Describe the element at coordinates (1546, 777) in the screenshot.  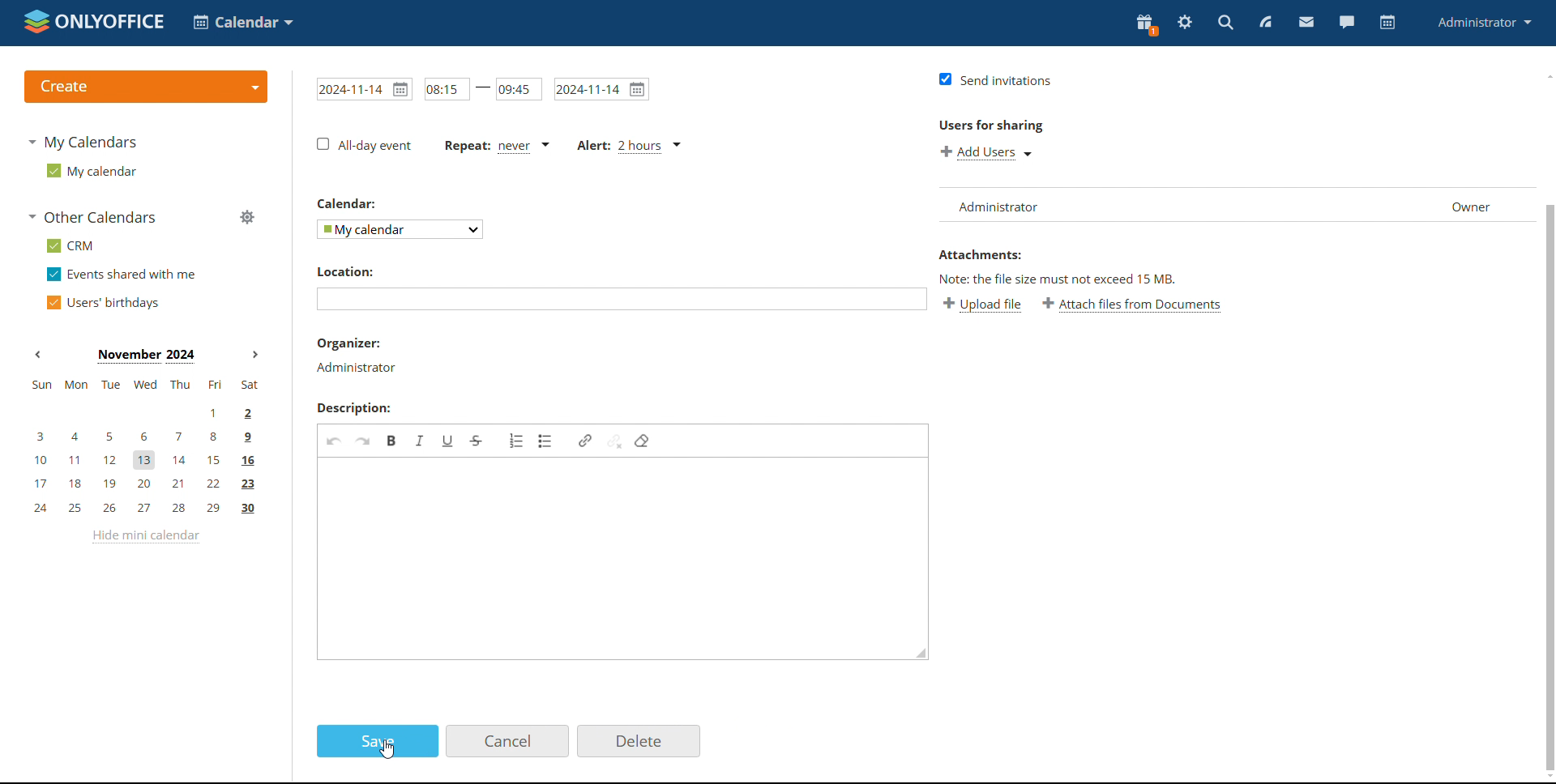
I see `scroll down` at that location.